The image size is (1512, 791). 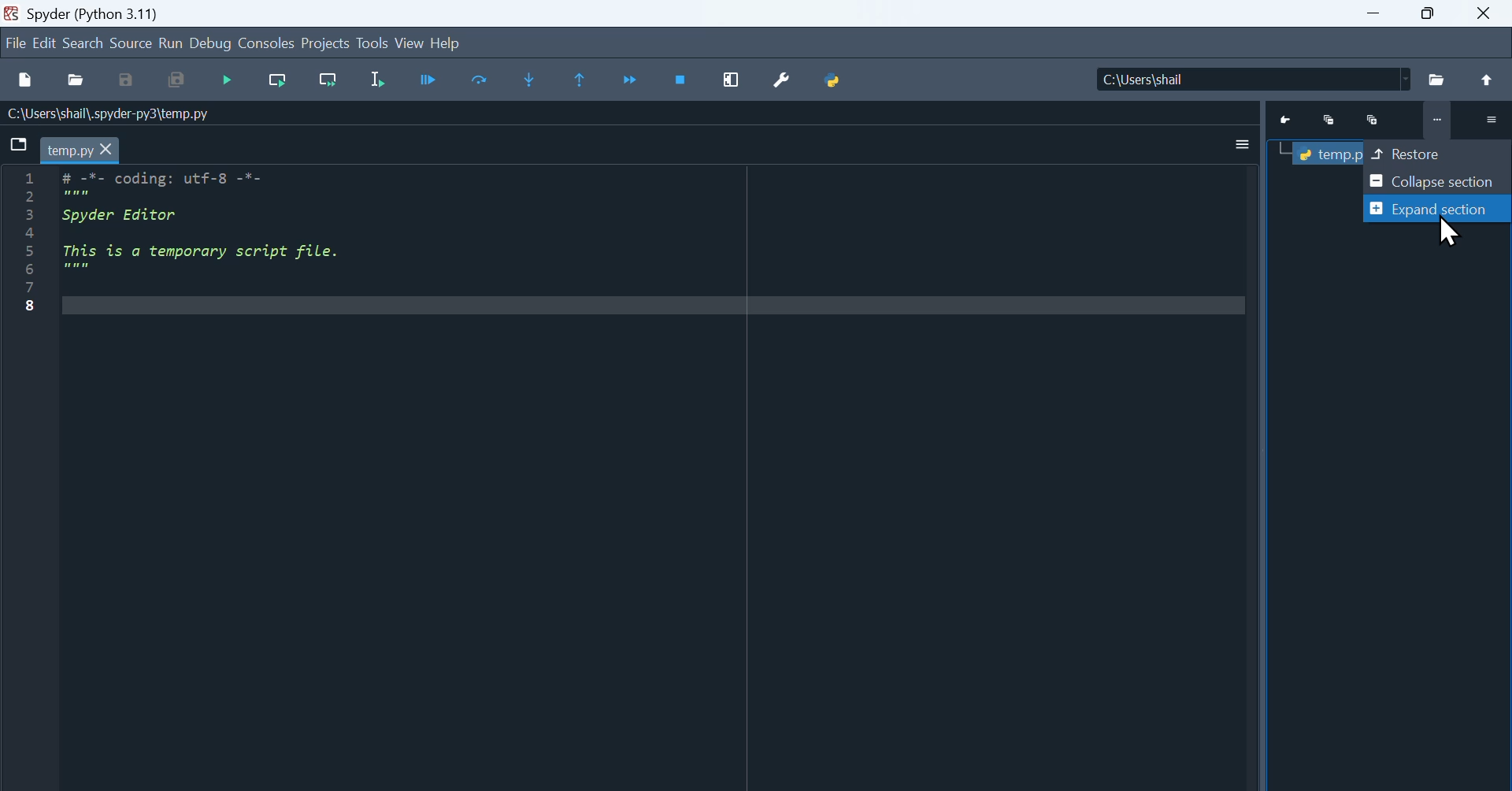 I want to click on Collapse Section, so click(x=1438, y=182).